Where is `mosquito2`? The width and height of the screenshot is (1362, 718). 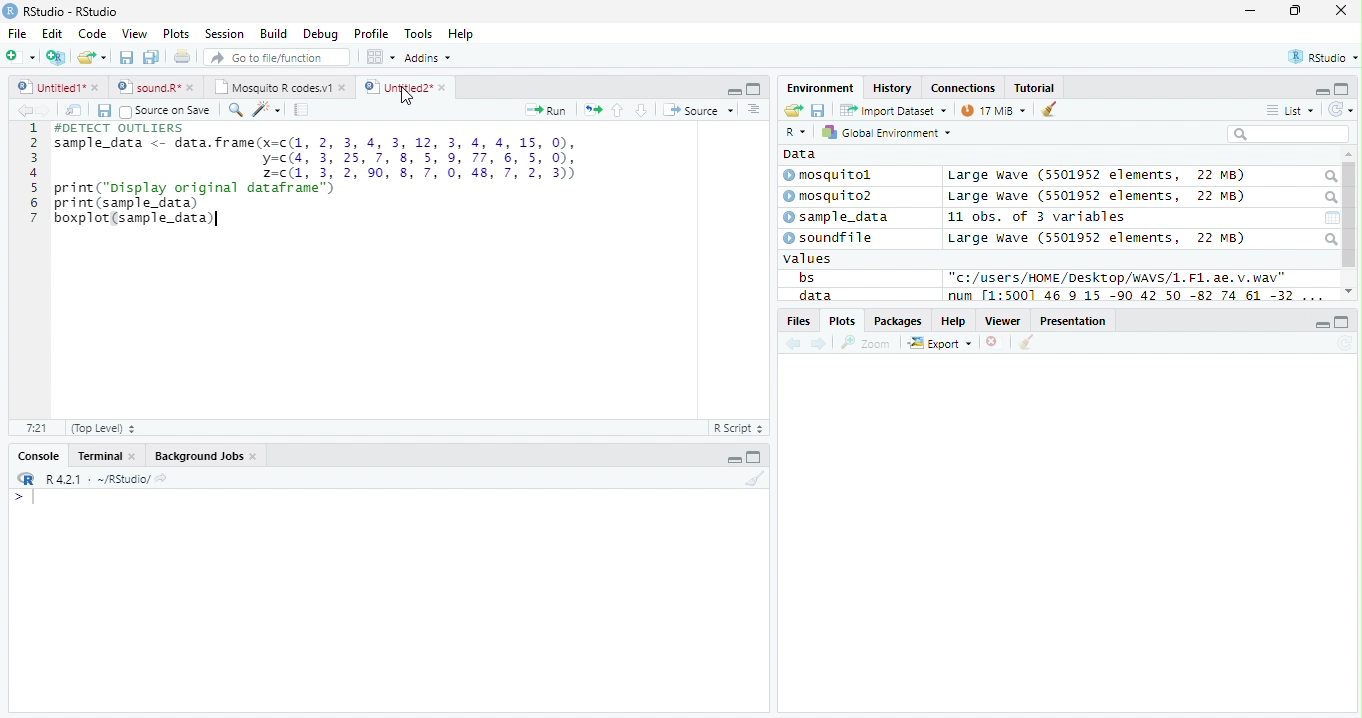 mosquito2 is located at coordinates (832, 196).